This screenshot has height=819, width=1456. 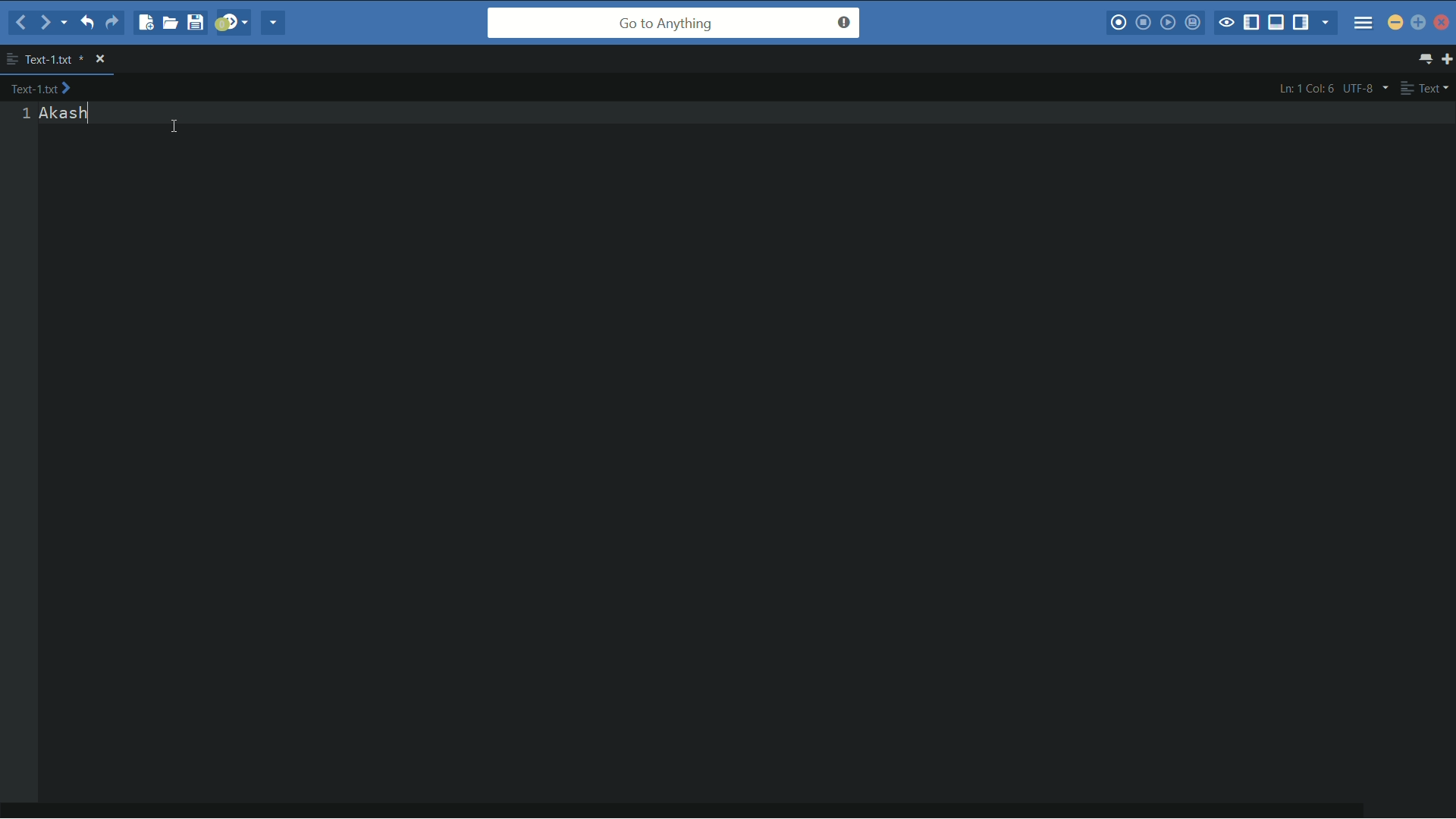 What do you see at coordinates (688, 813) in the screenshot?
I see `Horizontal scroll bar` at bounding box center [688, 813].